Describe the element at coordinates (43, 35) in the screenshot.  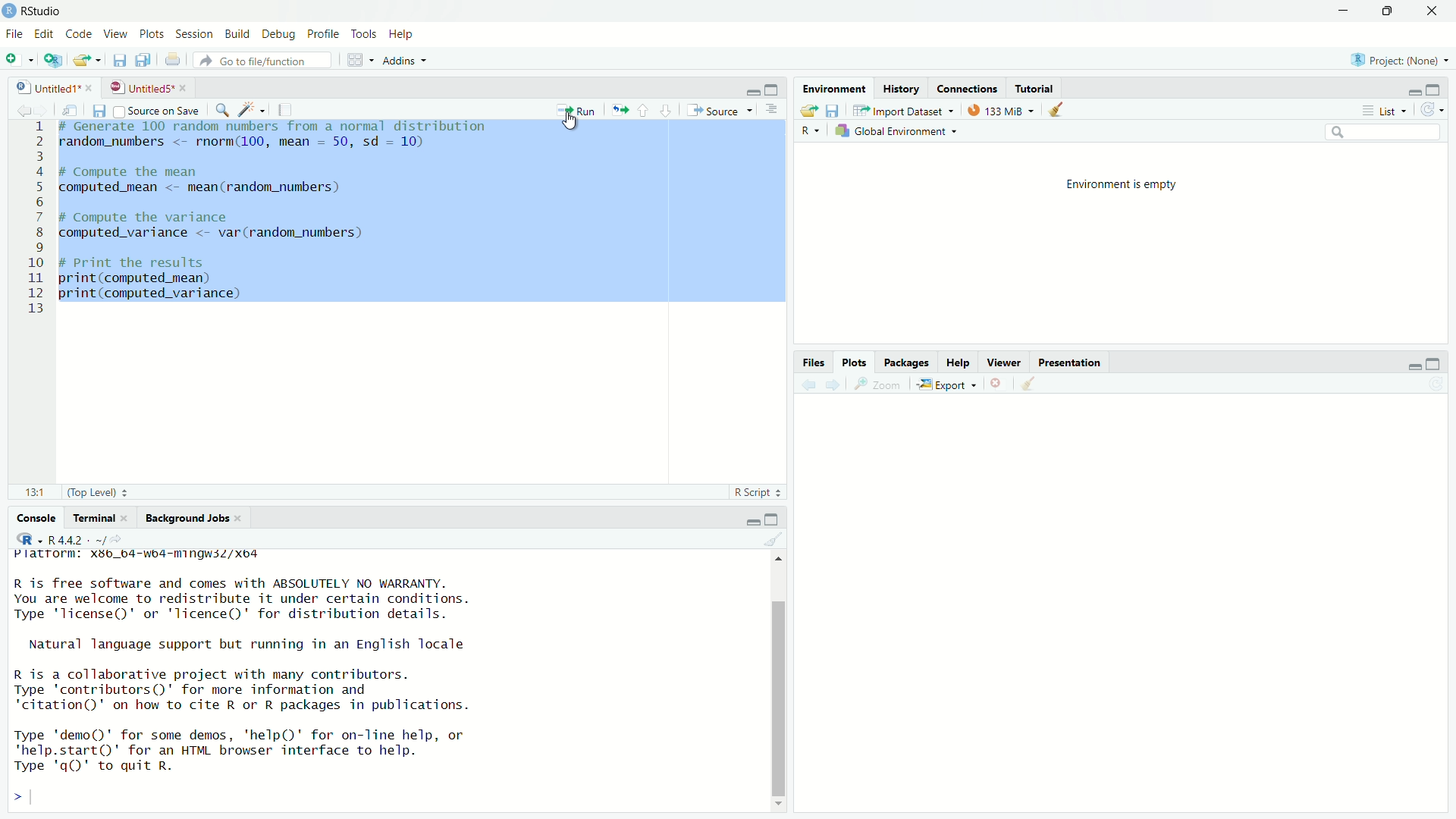
I see `edit` at that location.